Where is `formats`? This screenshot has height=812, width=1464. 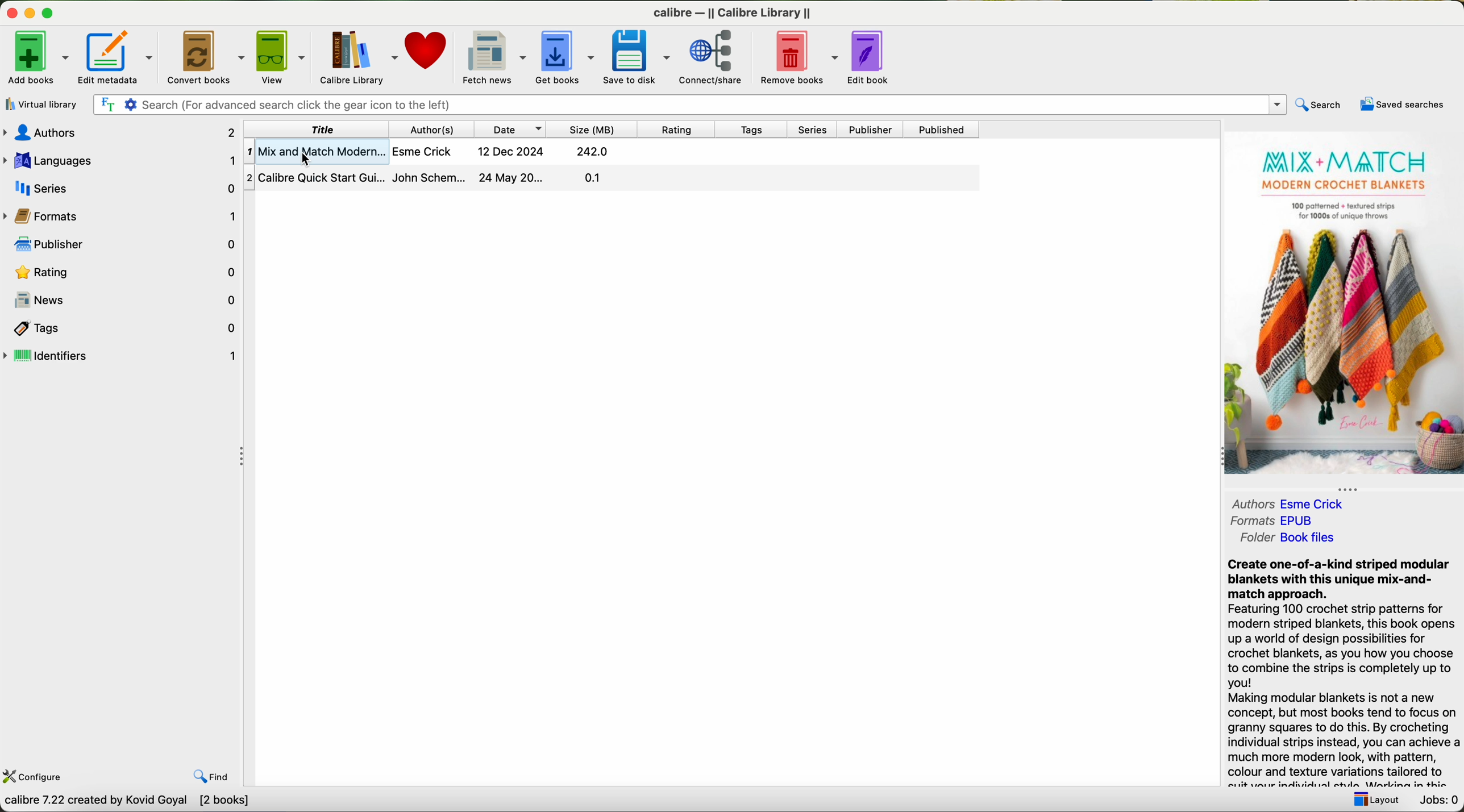
formats is located at coordinates (1274, 521).